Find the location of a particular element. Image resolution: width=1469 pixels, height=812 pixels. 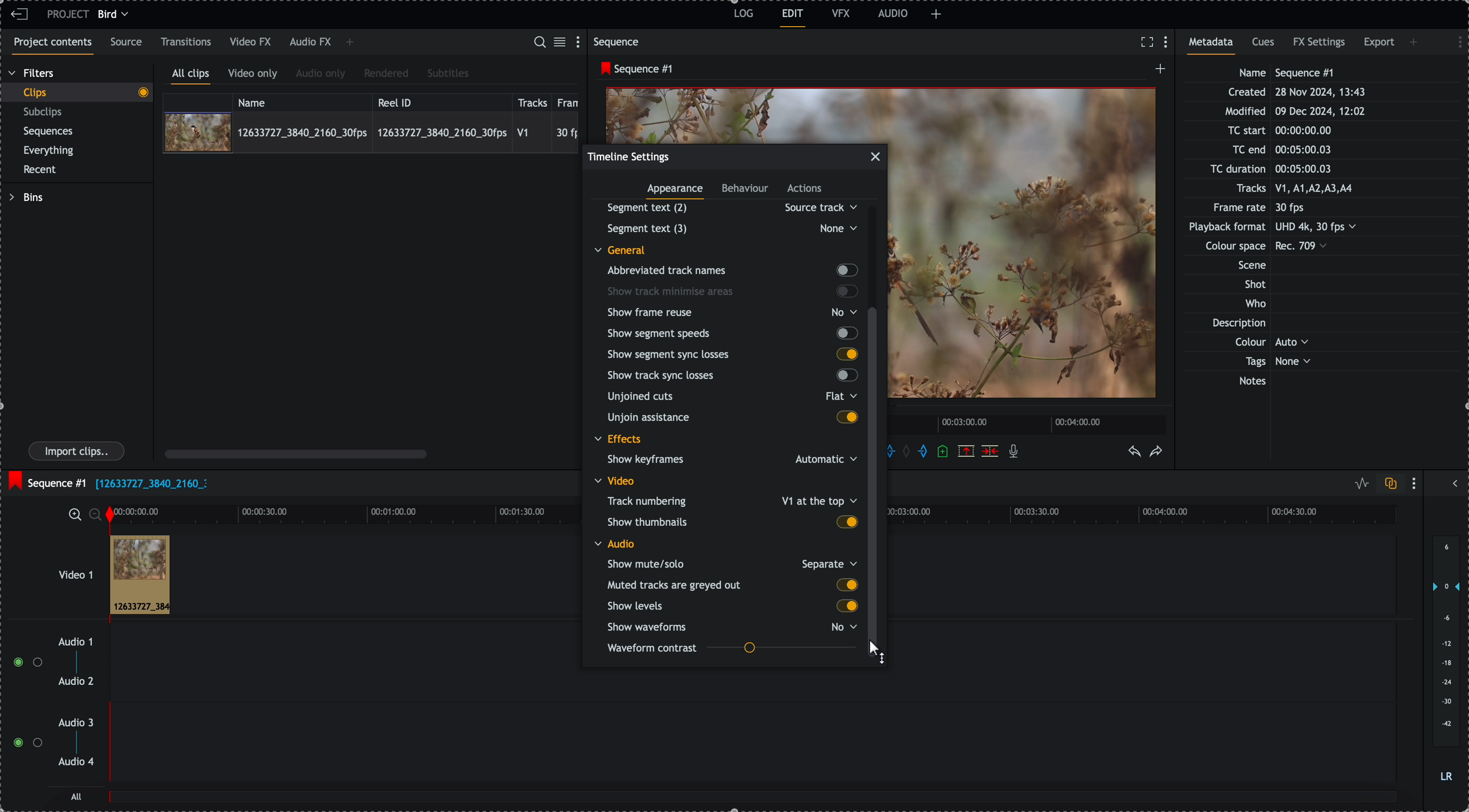

show settings menu is located at coordinates (1454, 40).